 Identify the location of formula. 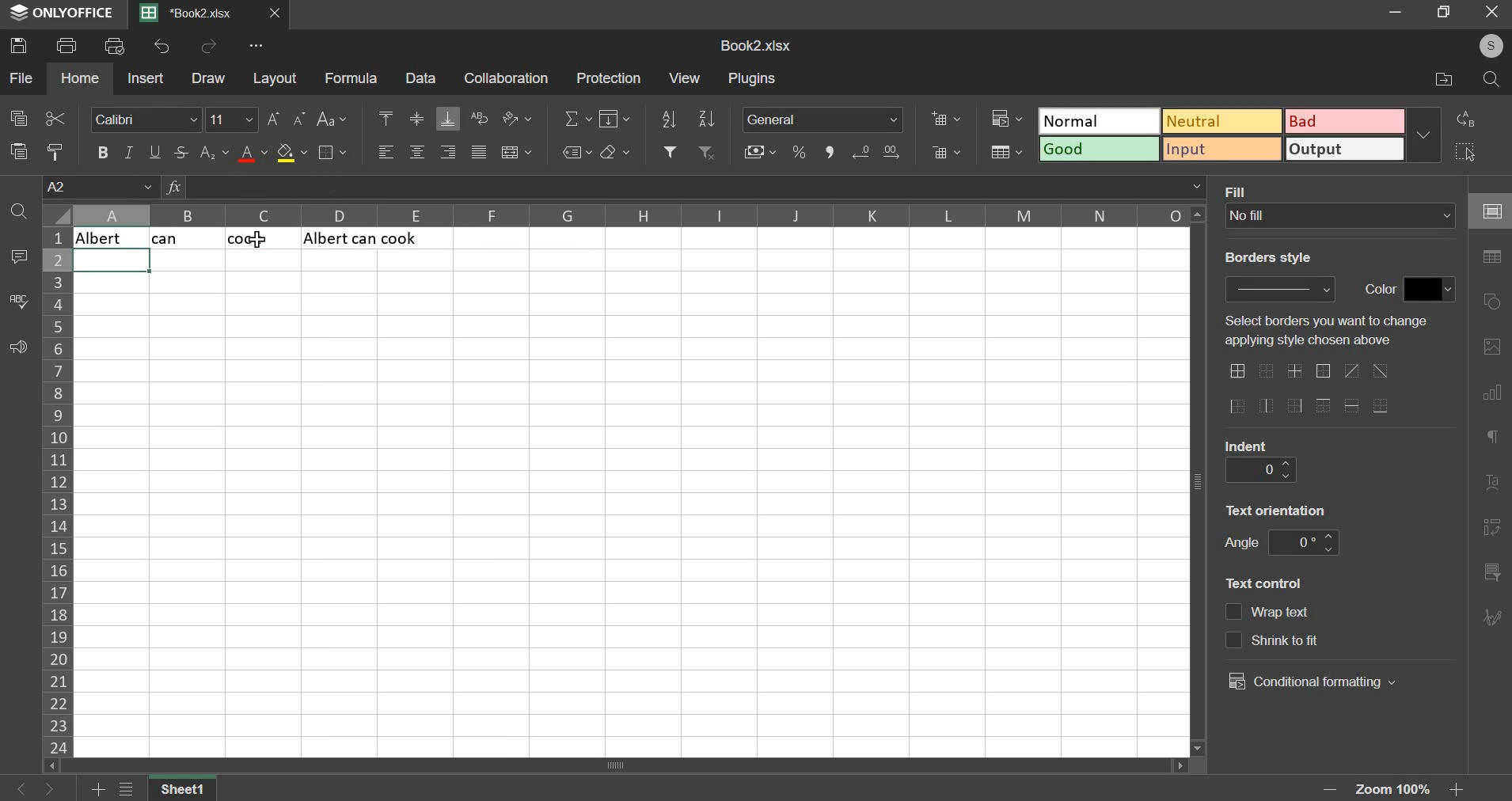
(171, 188).